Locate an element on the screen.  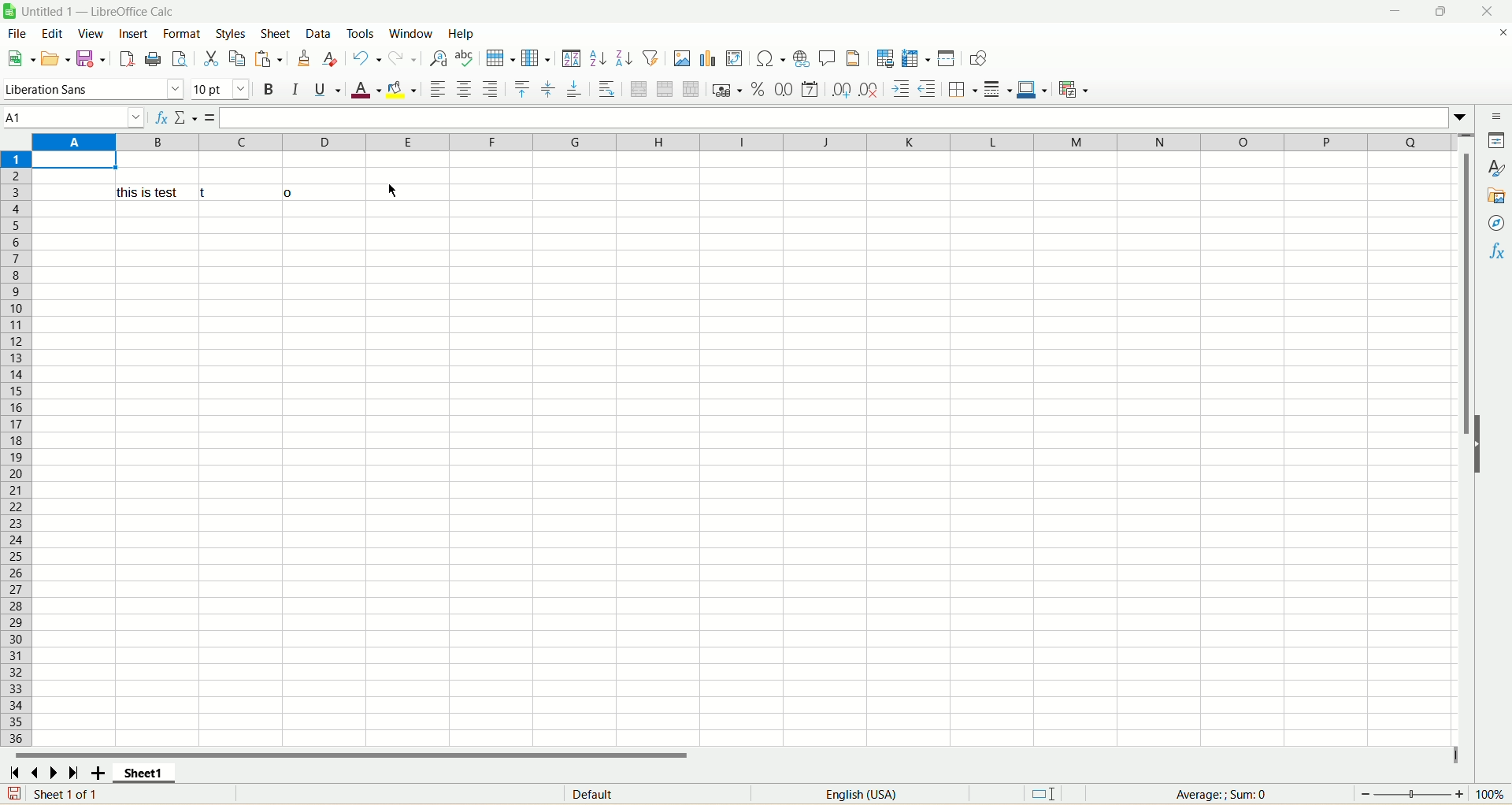
navigator is located at coordinates (1495, 224).